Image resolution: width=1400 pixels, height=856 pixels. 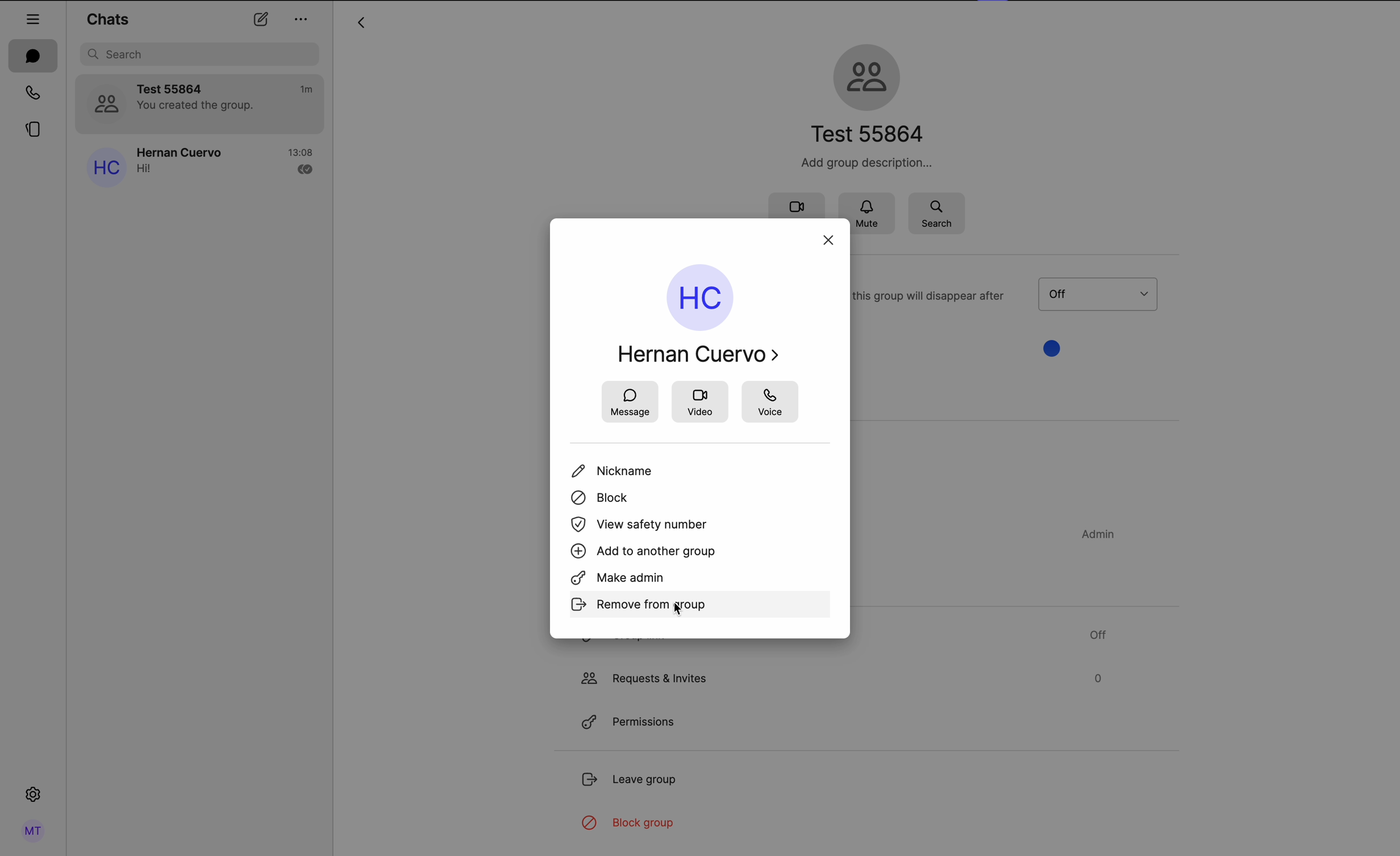 What do you see at coordinates (30, 94) in the screenshot?
I see `calls` at bounding box center [30, 94].